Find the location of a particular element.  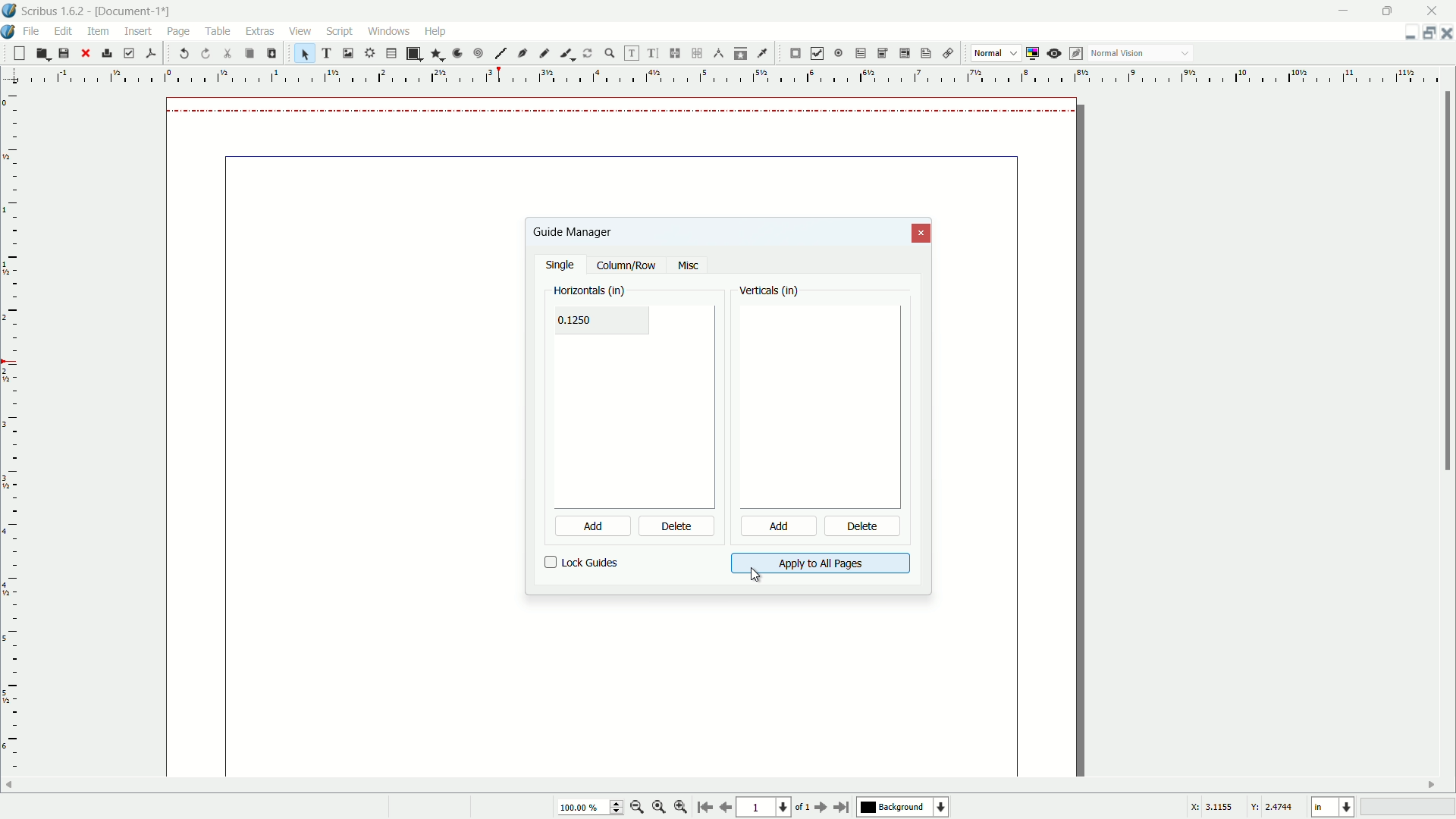

pdf text field is located at coordinates (858, 54).